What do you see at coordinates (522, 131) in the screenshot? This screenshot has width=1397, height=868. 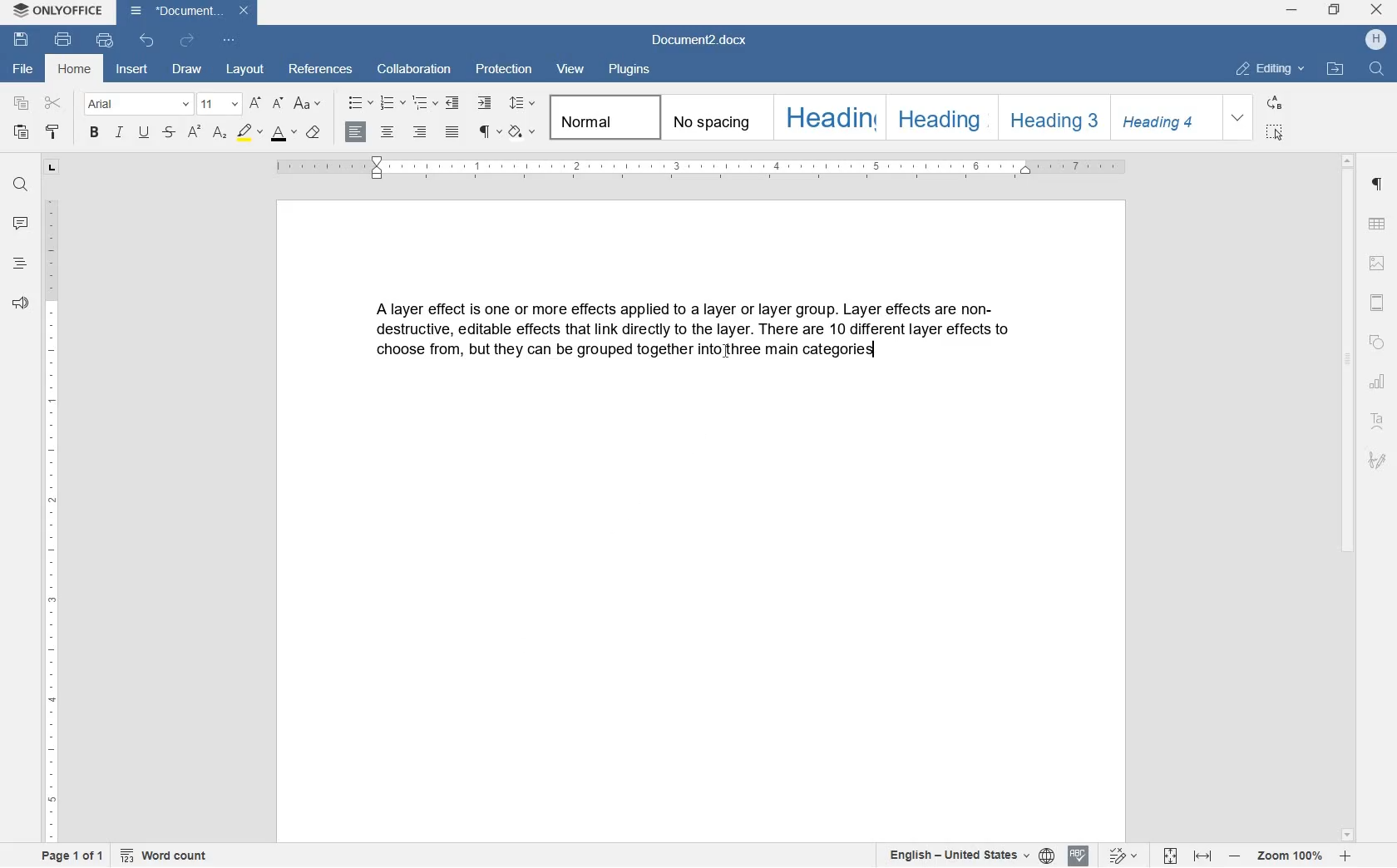 I see `shading` at bounding box center [522, 131].